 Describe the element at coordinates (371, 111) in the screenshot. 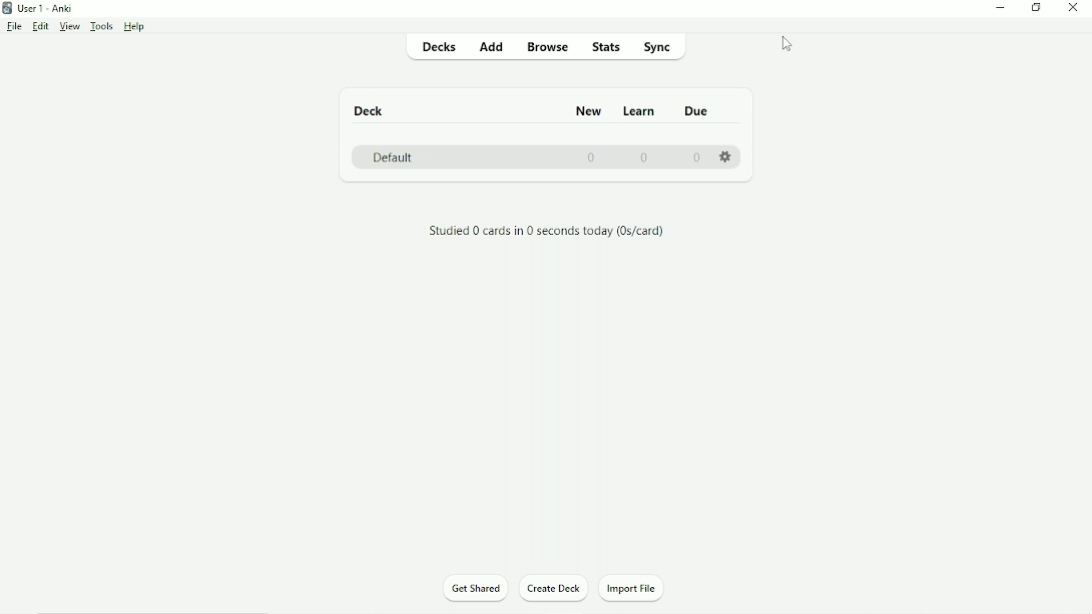

I see `Deck` at that location.